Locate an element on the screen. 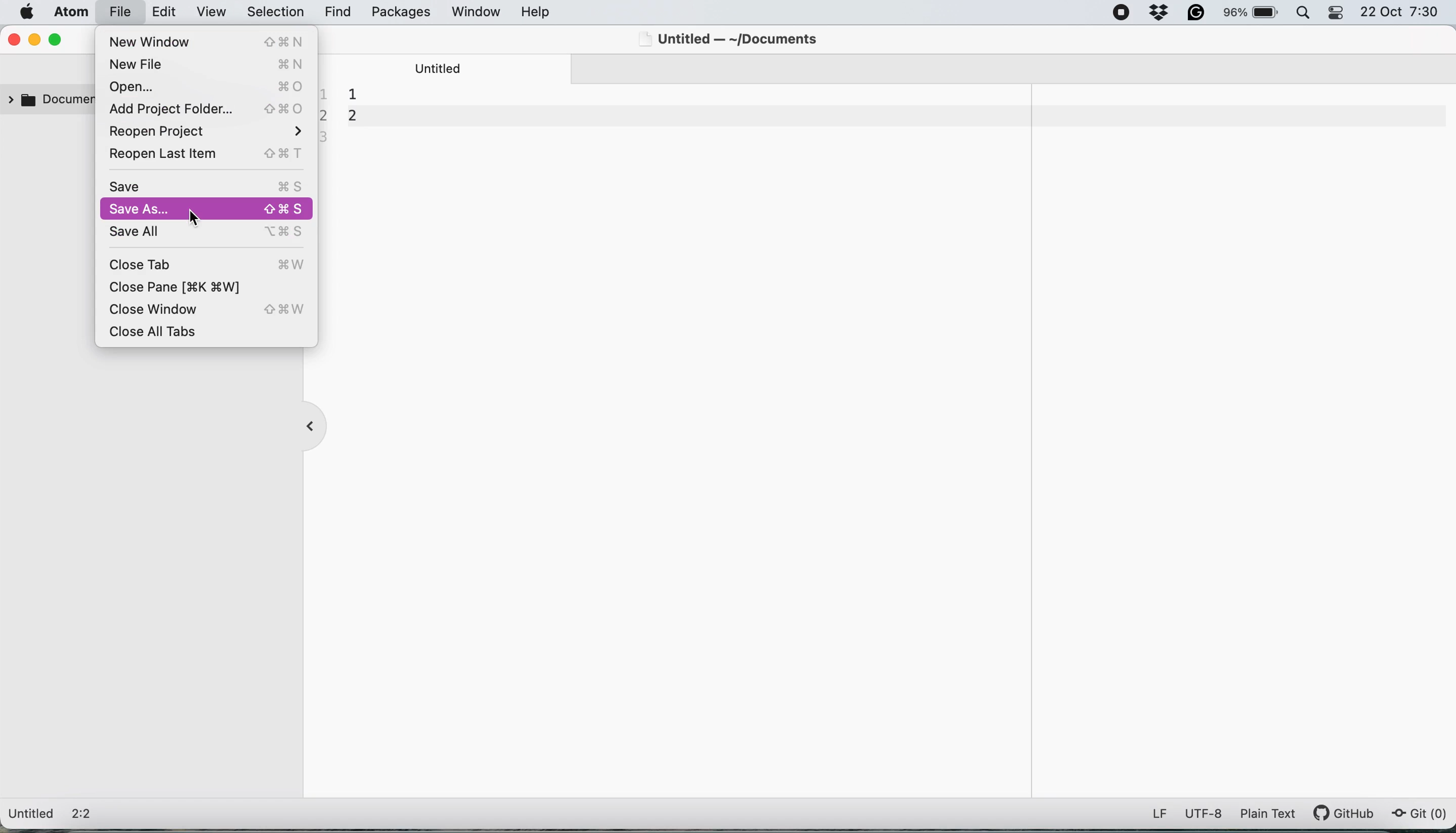 The height and width of the screenshot is (833, 1456). selection is located at coordinates (278, 11).